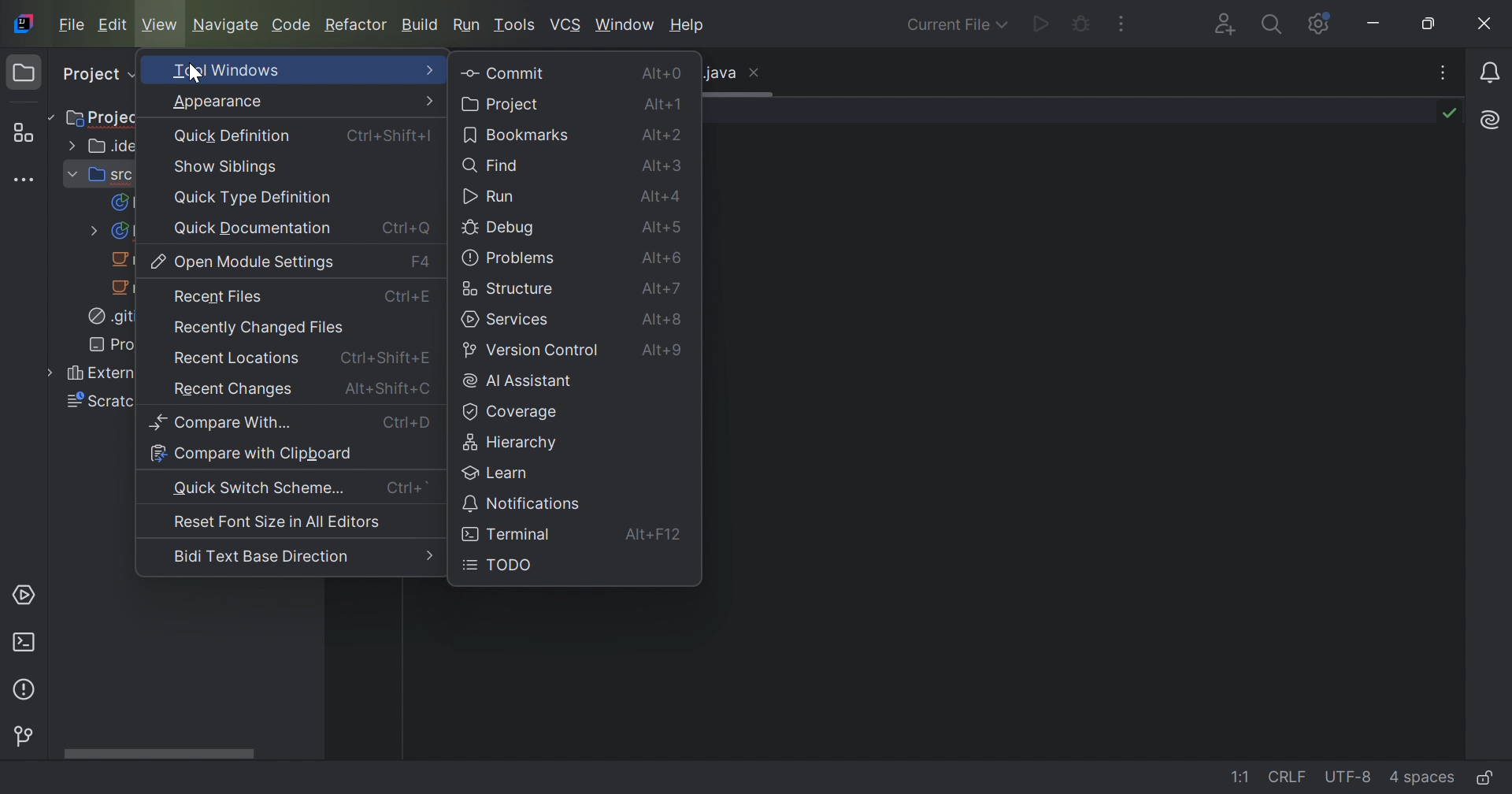  What do you see at coordinates (405, 228) in the screenshot?
I see `Ctrl+Q` at bounding box center [405, 228].